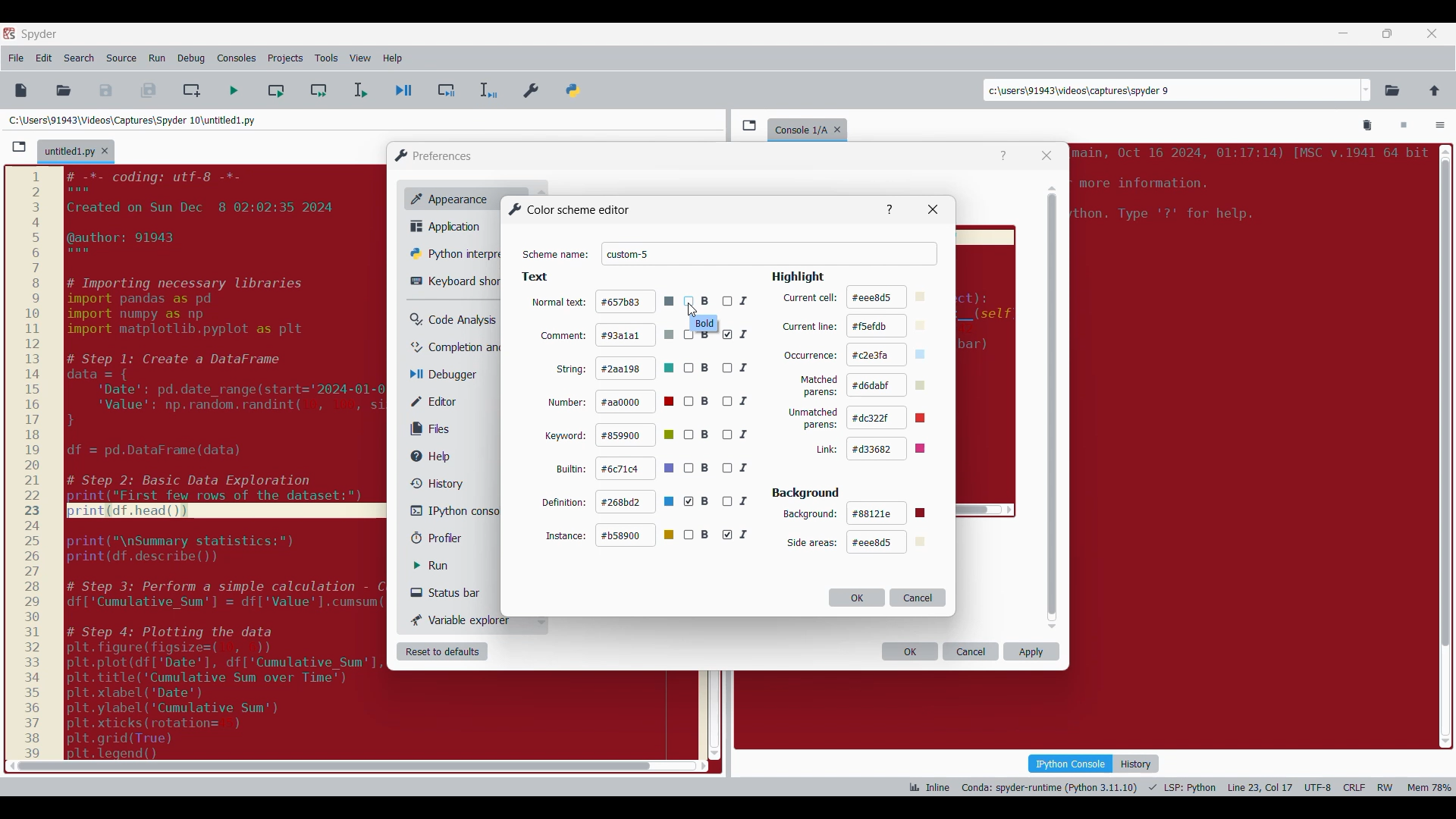 The image size is (1456, 819). I want to click on Software name, so click(39, 34).